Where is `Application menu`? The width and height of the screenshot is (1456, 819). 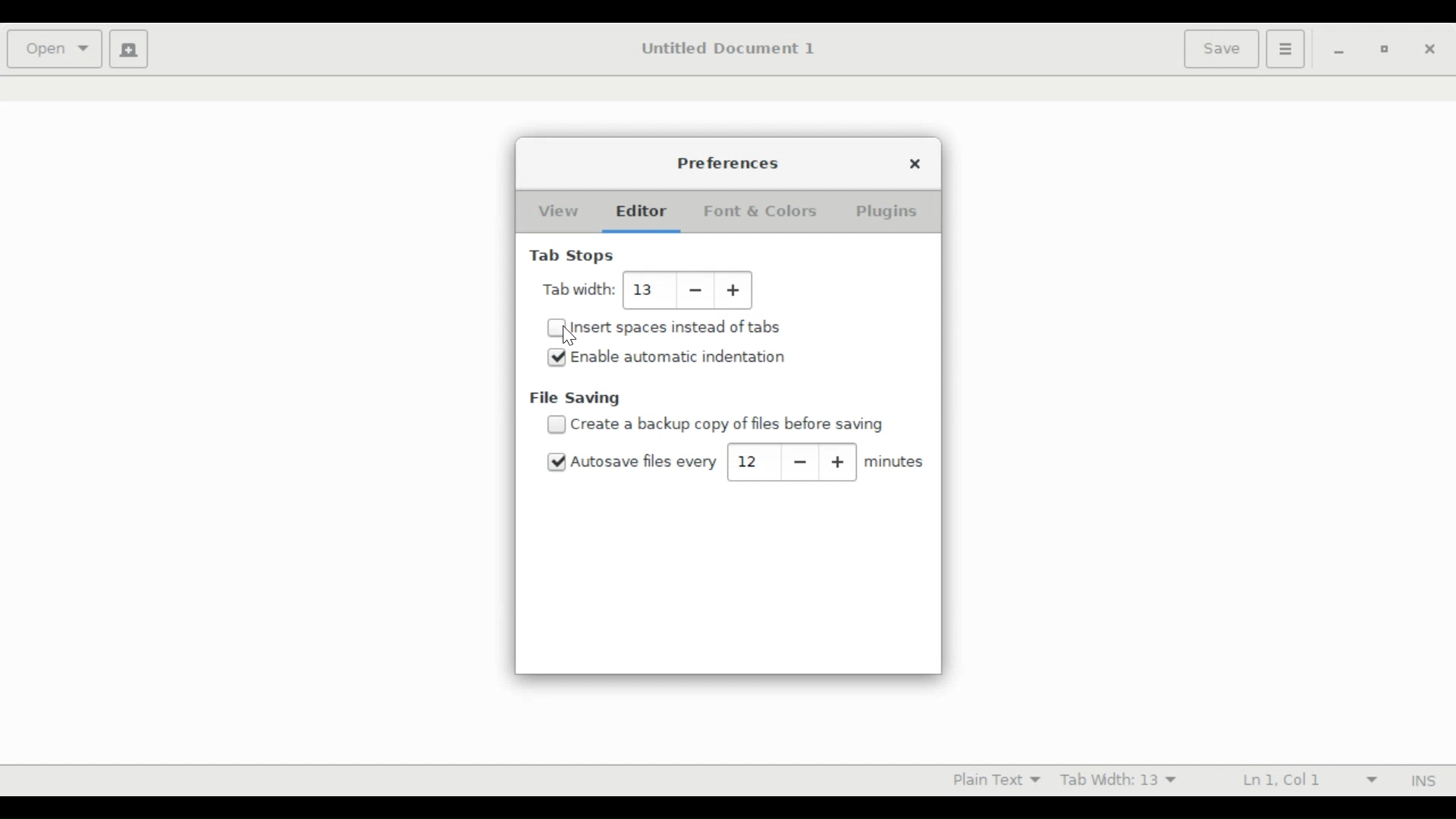 Application menu is located at coordinates (1285, 49).